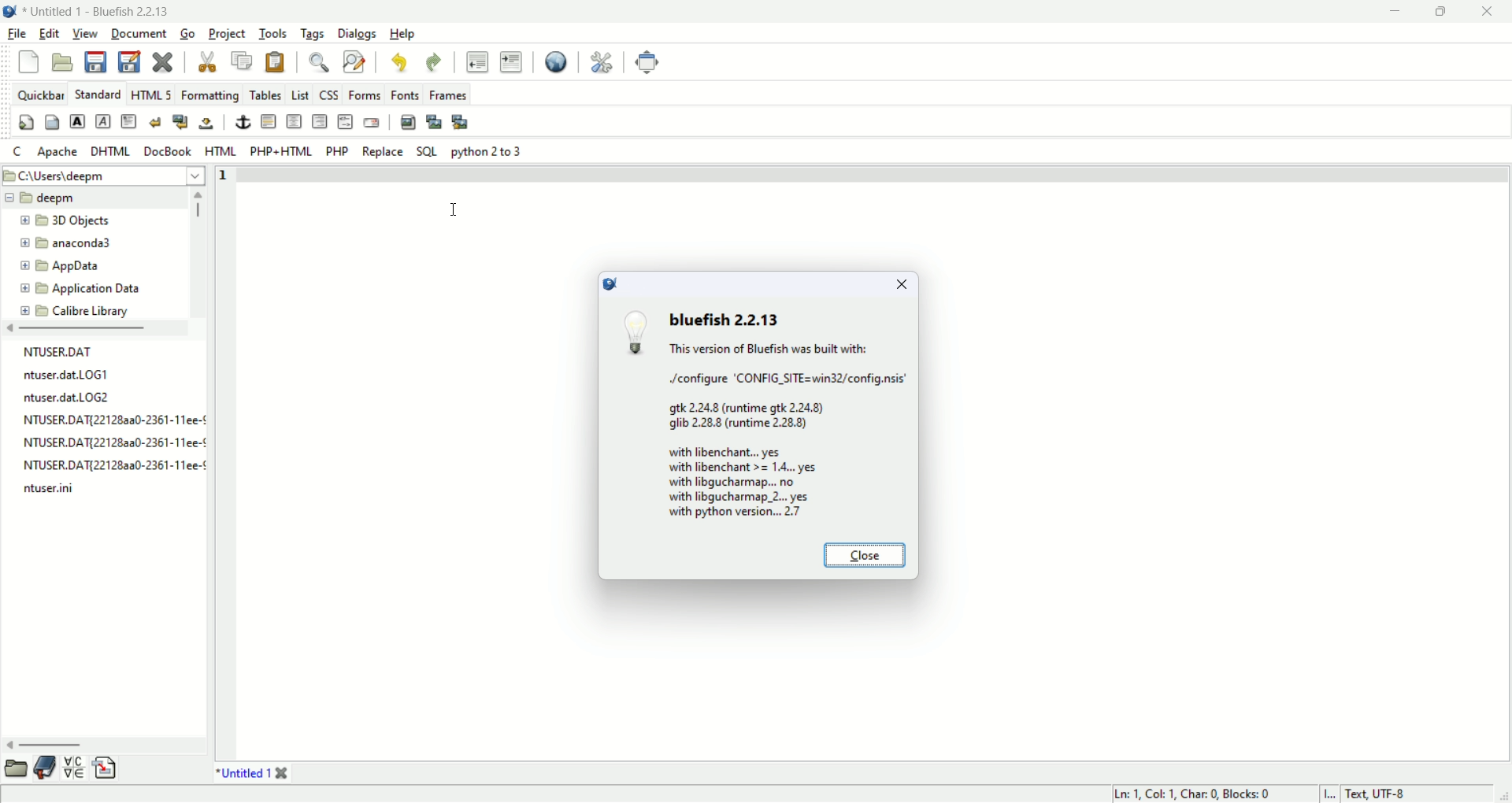  What do you see at coordinates (72, 220) in the screenshot?
I see `folder name` at bounding box center [72, 220].